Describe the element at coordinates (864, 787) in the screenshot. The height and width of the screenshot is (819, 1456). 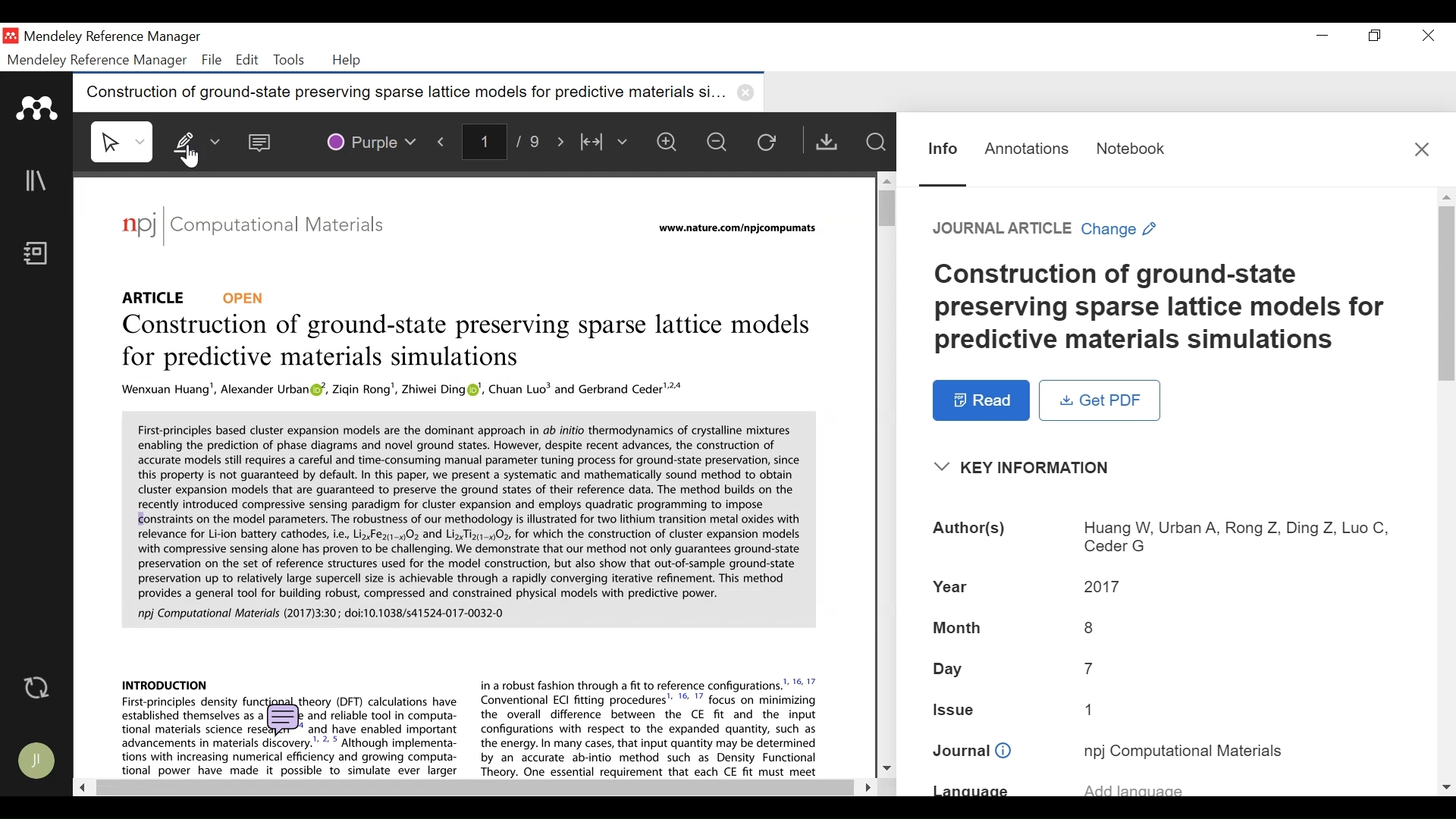
I see `Scroll Right` at that location.